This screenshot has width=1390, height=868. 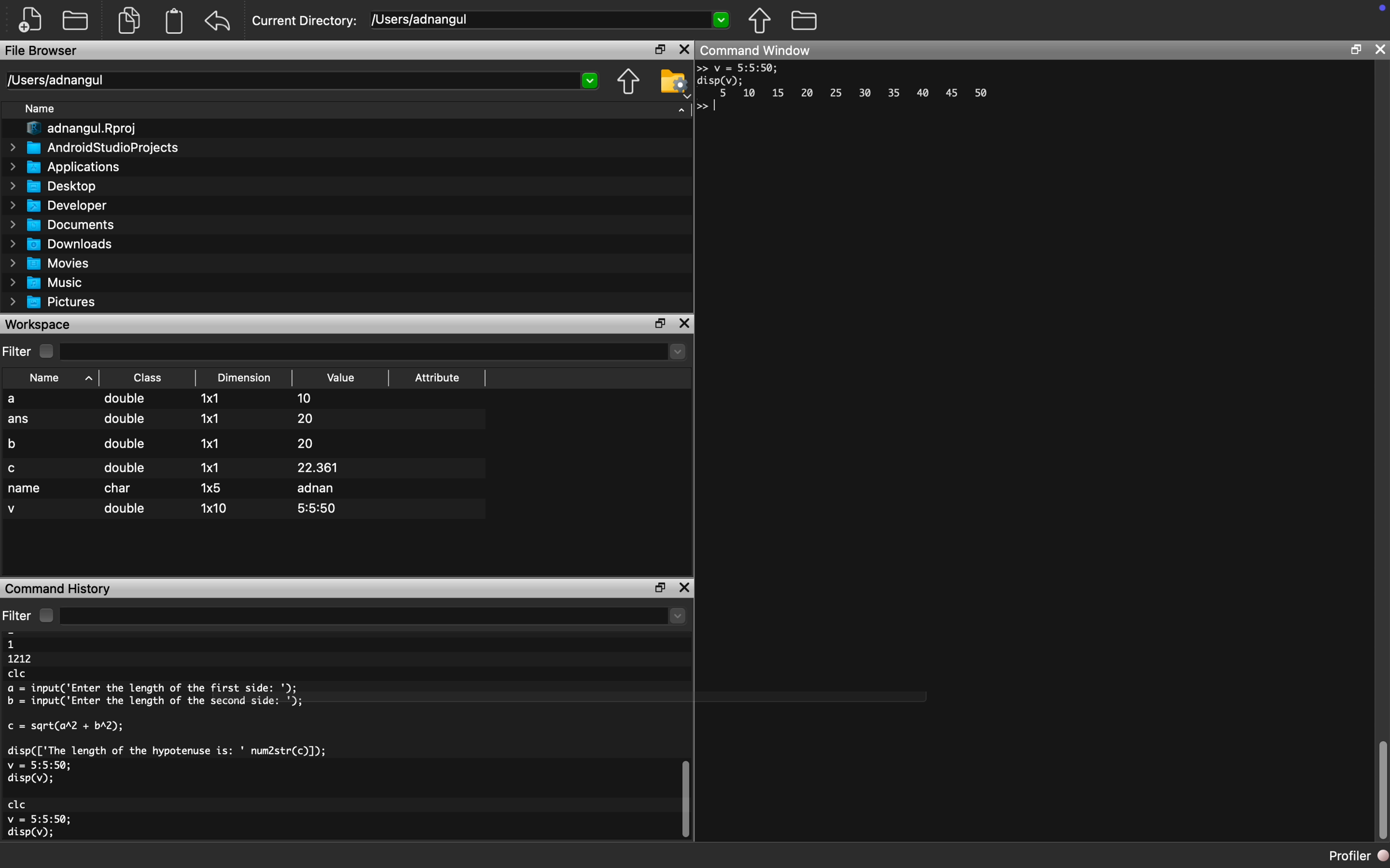 What do you see at coordinates (75, 20) in the screenshot?
I see `New folder` at bounding box center [75, 20].